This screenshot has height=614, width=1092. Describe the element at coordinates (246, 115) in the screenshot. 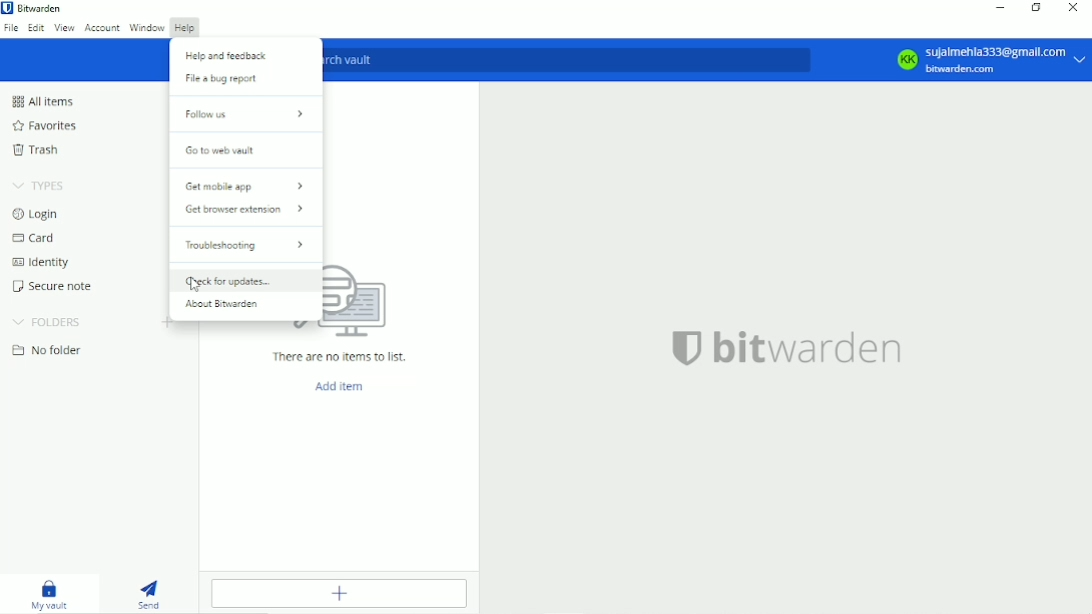

I see `Follow us >` at that location.